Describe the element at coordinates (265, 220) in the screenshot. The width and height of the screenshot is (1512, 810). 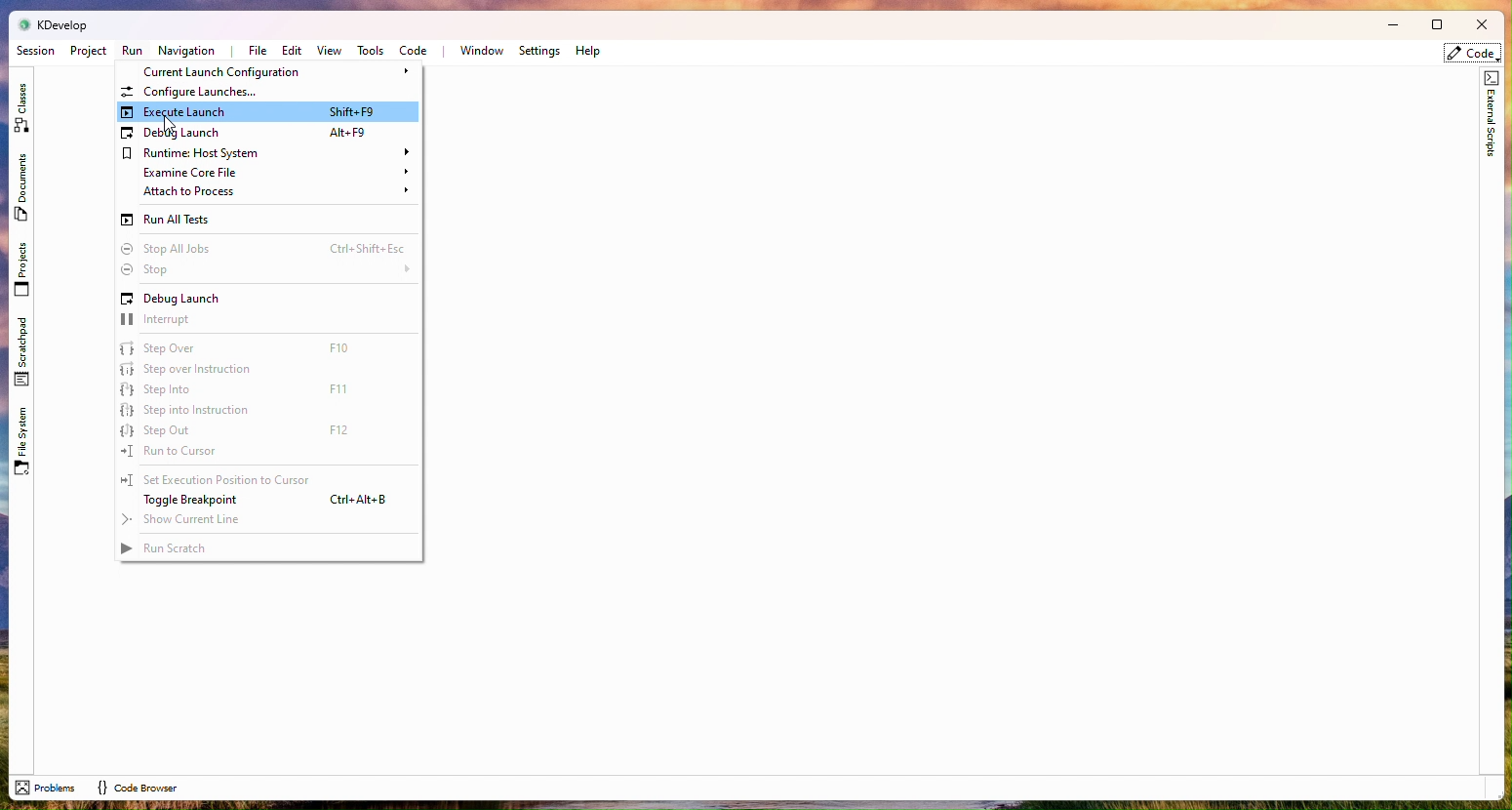
I see `Run all tests` at that location.